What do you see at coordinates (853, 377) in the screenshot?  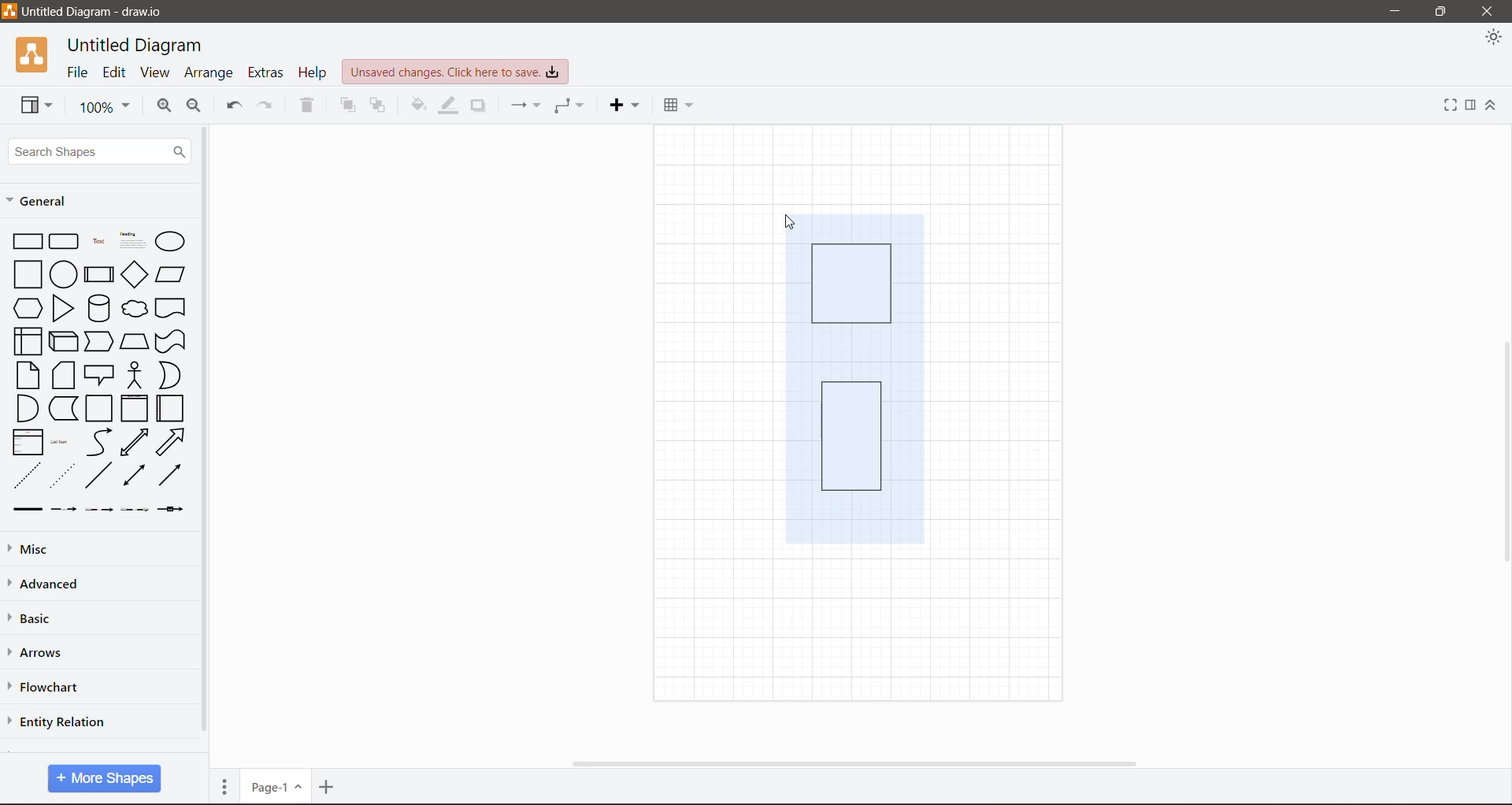 I see `Shapes selected` at bounding box center [853, 377].